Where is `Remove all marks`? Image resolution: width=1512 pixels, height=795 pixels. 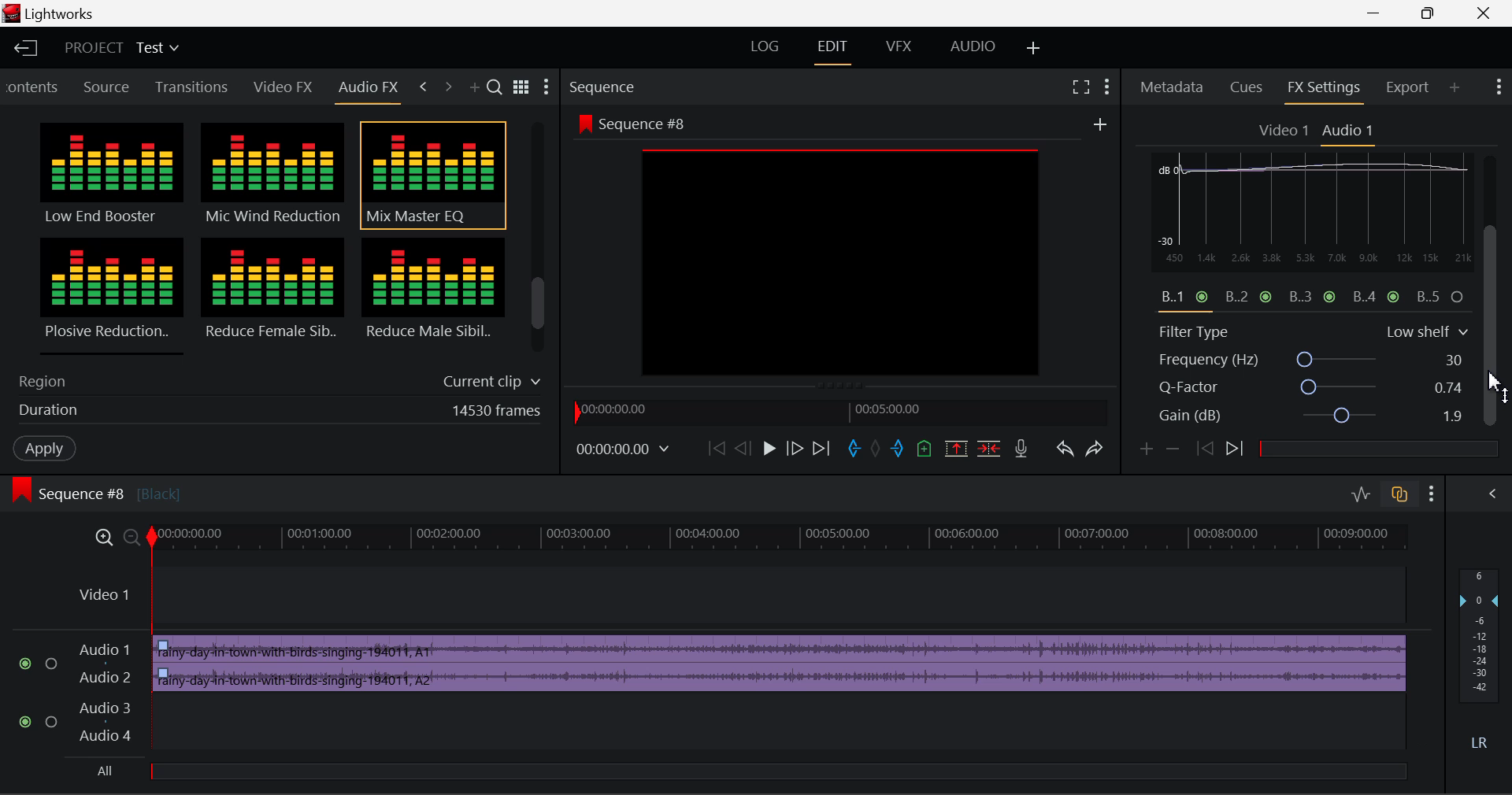
Remove all marks is located at coordinates (879, 449).